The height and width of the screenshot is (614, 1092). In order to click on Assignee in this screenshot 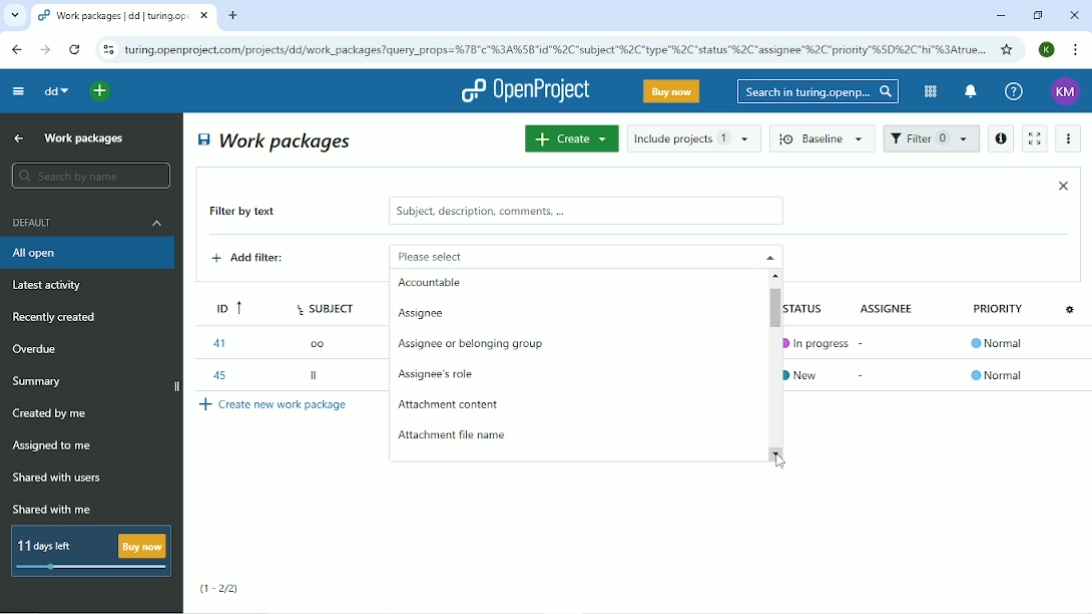, I will do `click(891, 307)`.